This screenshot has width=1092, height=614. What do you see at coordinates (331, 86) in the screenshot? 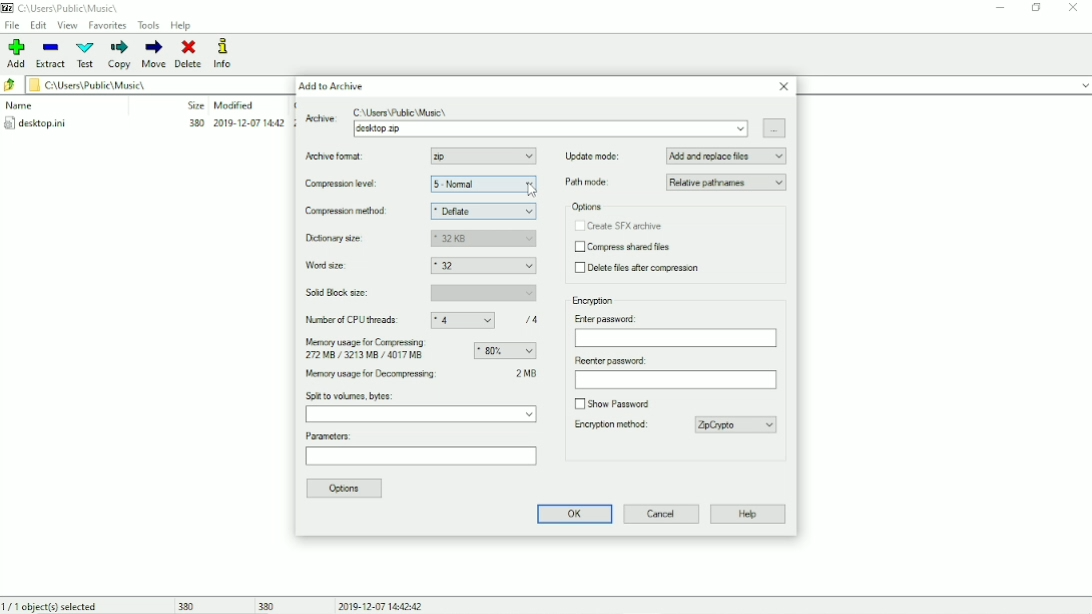
I see `Add to Archive` at bounding box center [331, 86].